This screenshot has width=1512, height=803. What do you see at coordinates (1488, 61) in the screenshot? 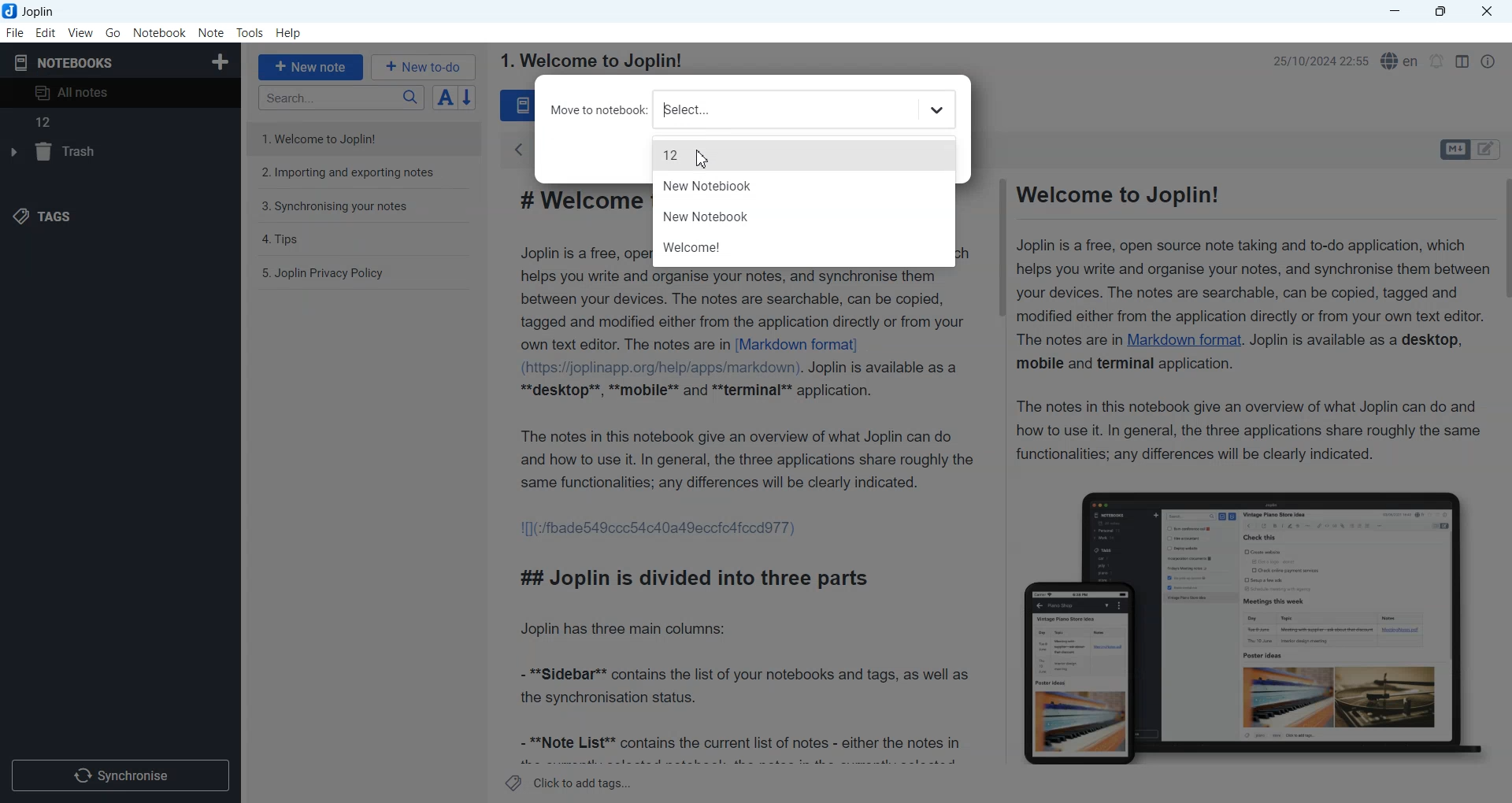
I see `Note Properties` at bounding box center [1488, 61].